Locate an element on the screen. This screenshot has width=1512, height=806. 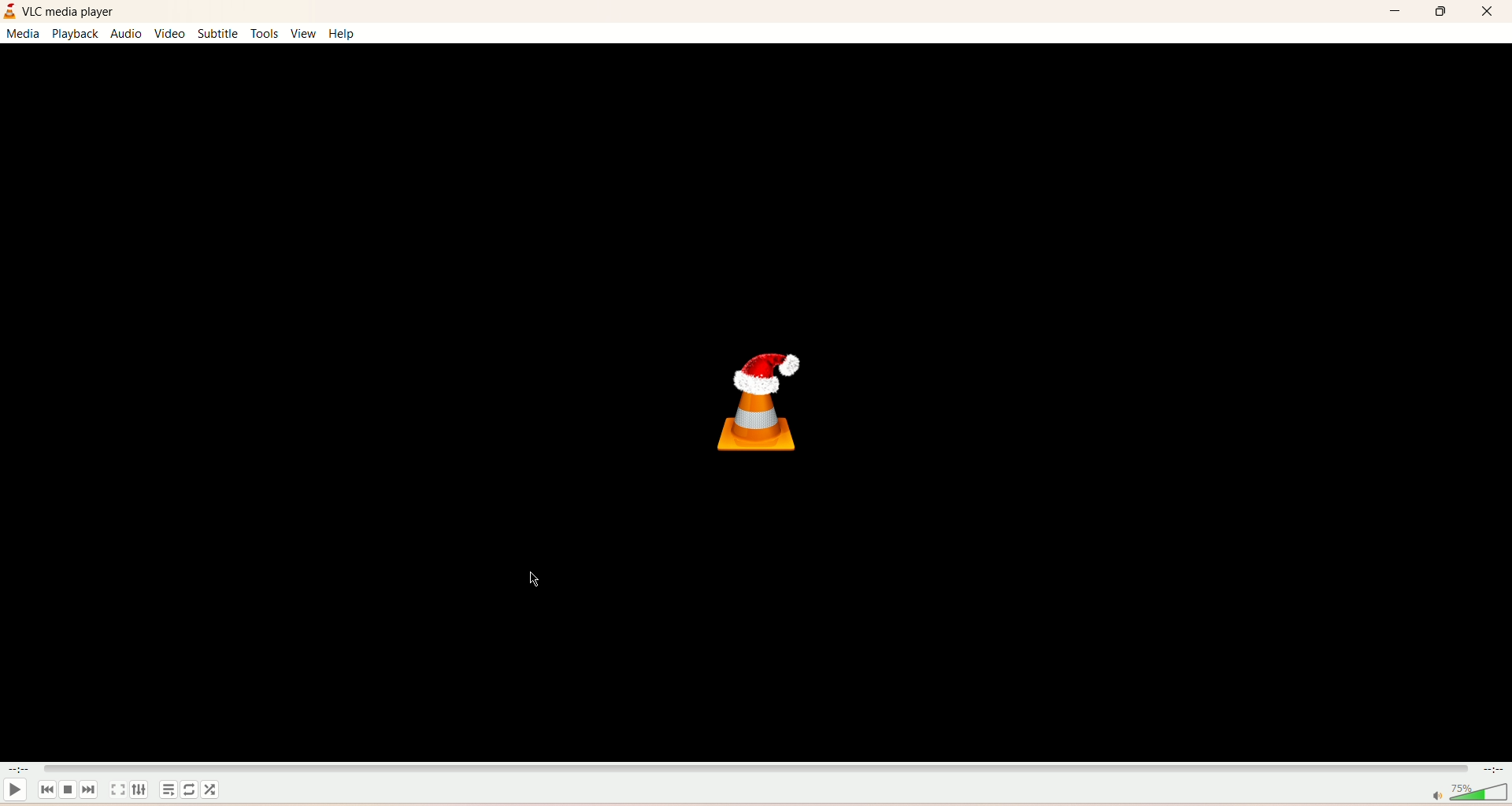
cursor is located at coordinates (536, 580).